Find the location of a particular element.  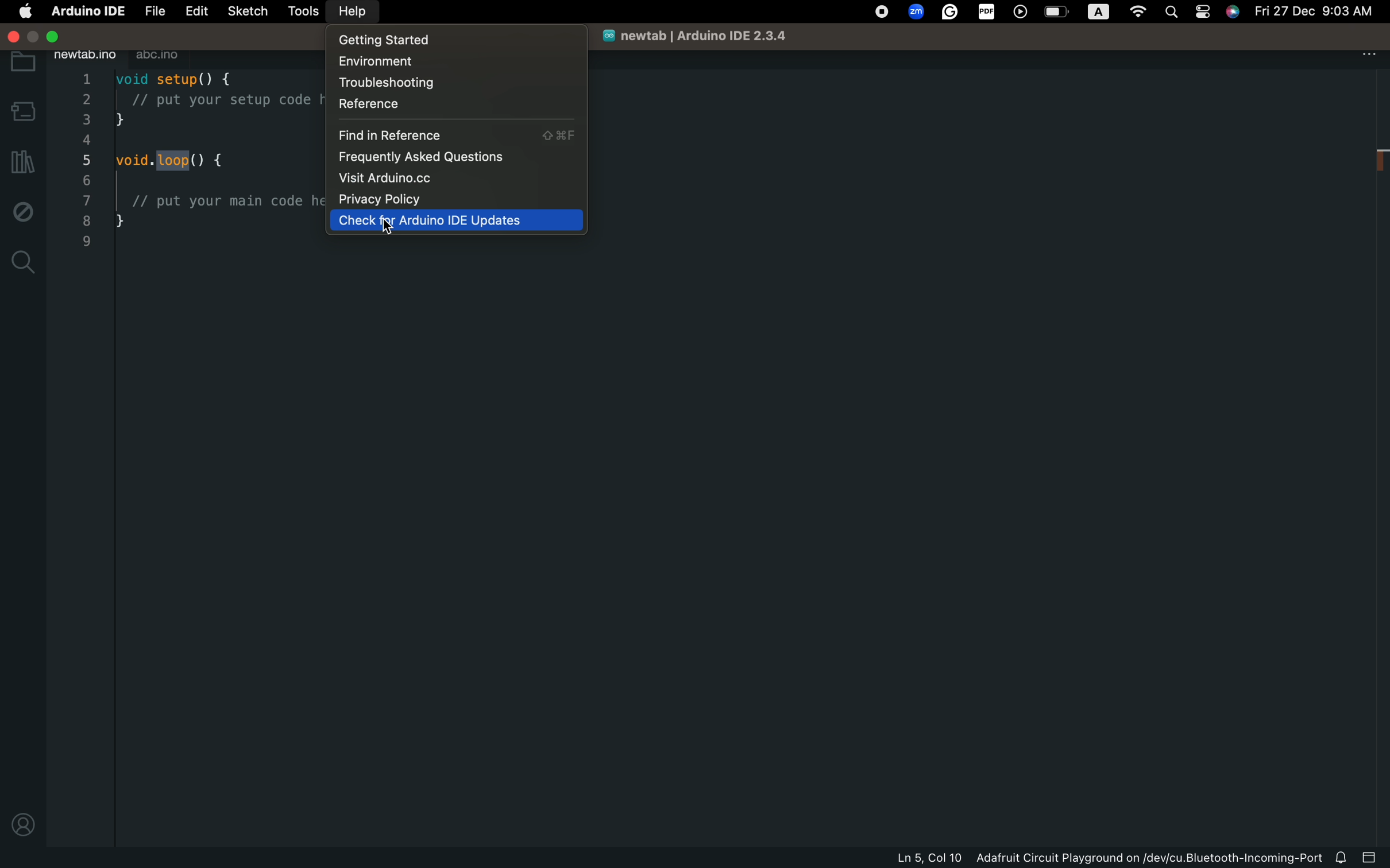

tools is located at coordinates (303, 12).